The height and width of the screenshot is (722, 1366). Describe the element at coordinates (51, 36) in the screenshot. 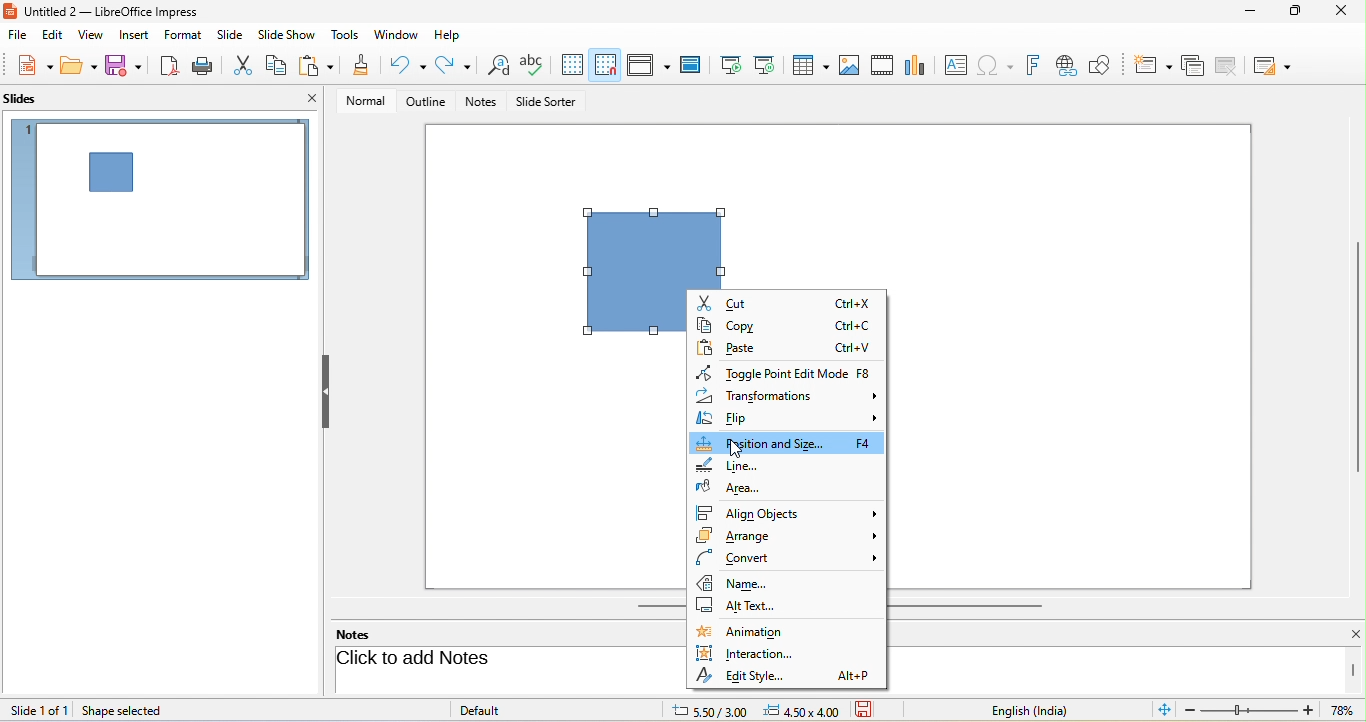

I see `edit` at that location.